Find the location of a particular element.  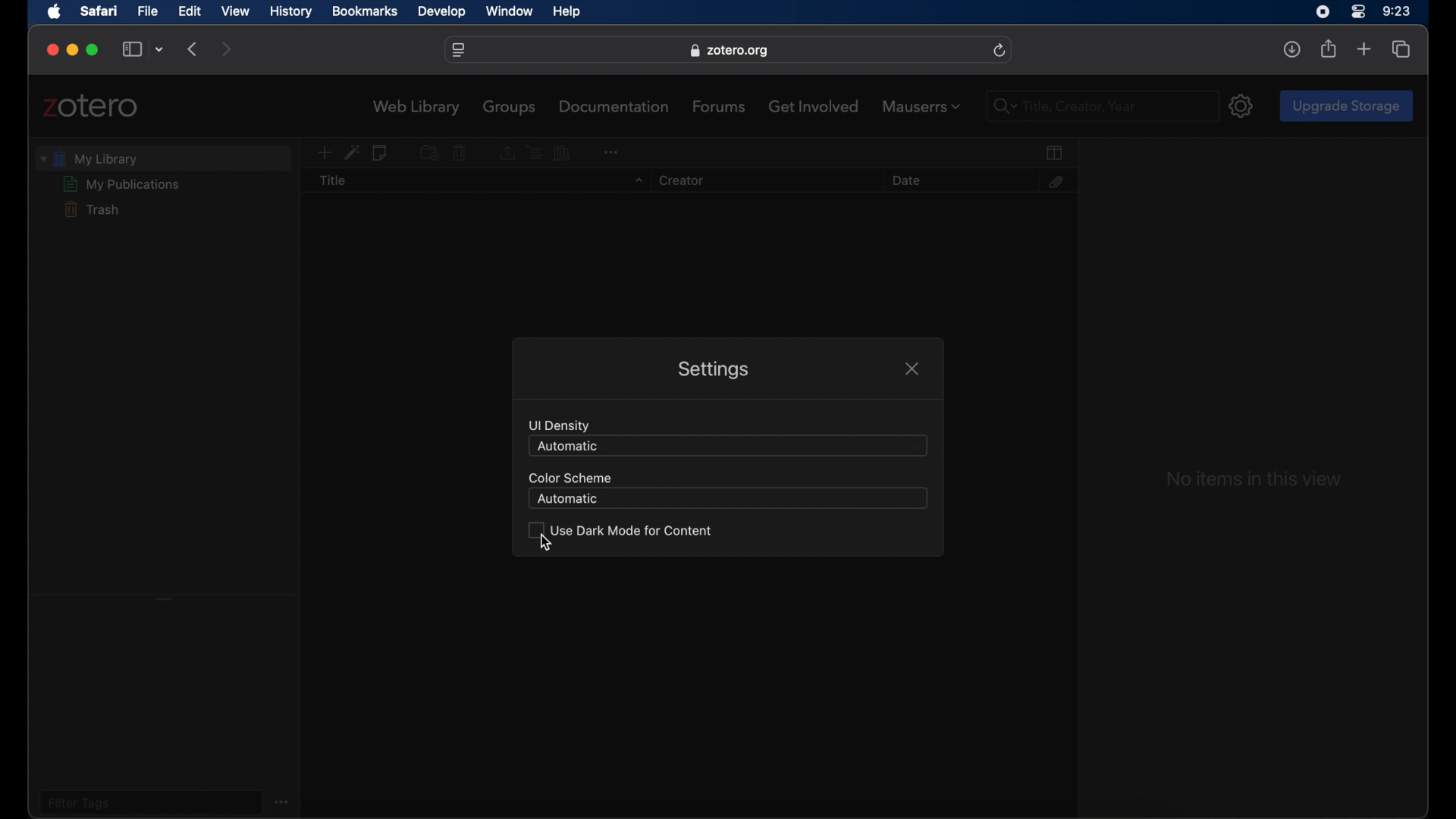

drag handle is located at coordinates (165, 598).